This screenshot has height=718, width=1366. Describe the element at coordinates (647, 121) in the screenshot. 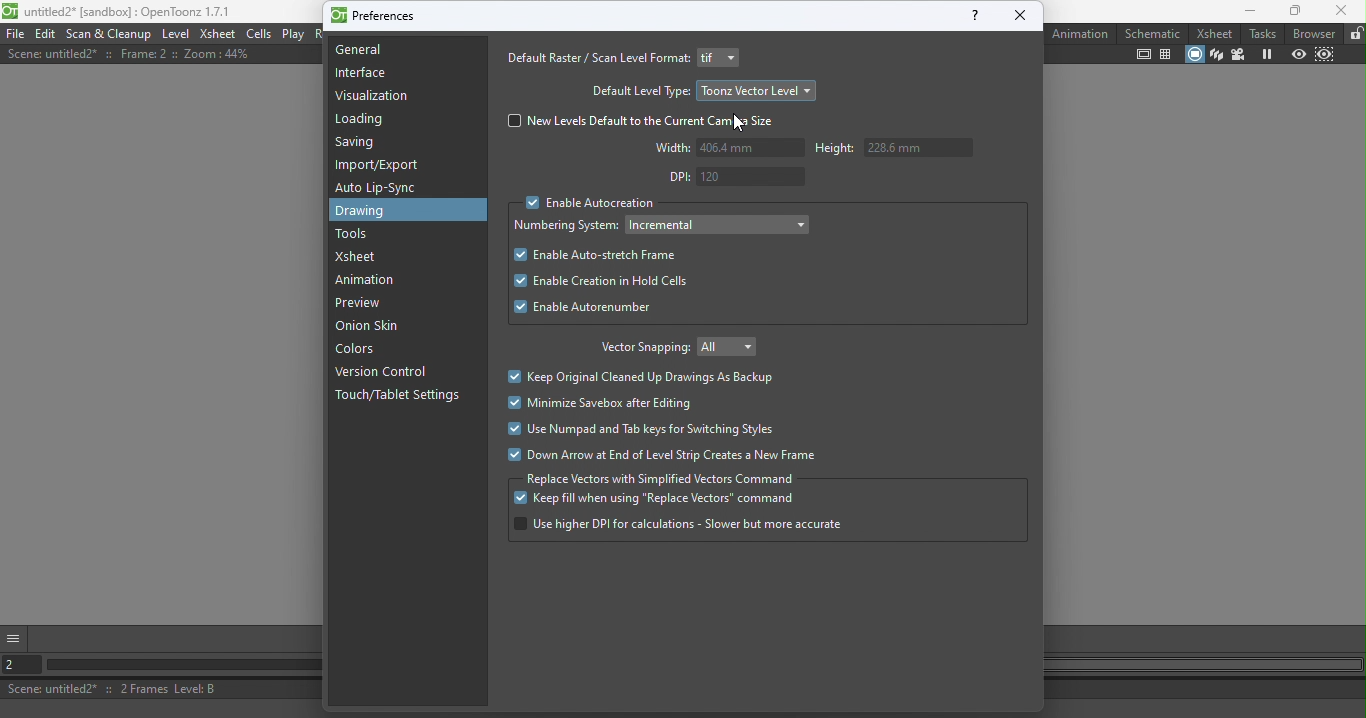

I see `New levels default to the current camera size` at that location.